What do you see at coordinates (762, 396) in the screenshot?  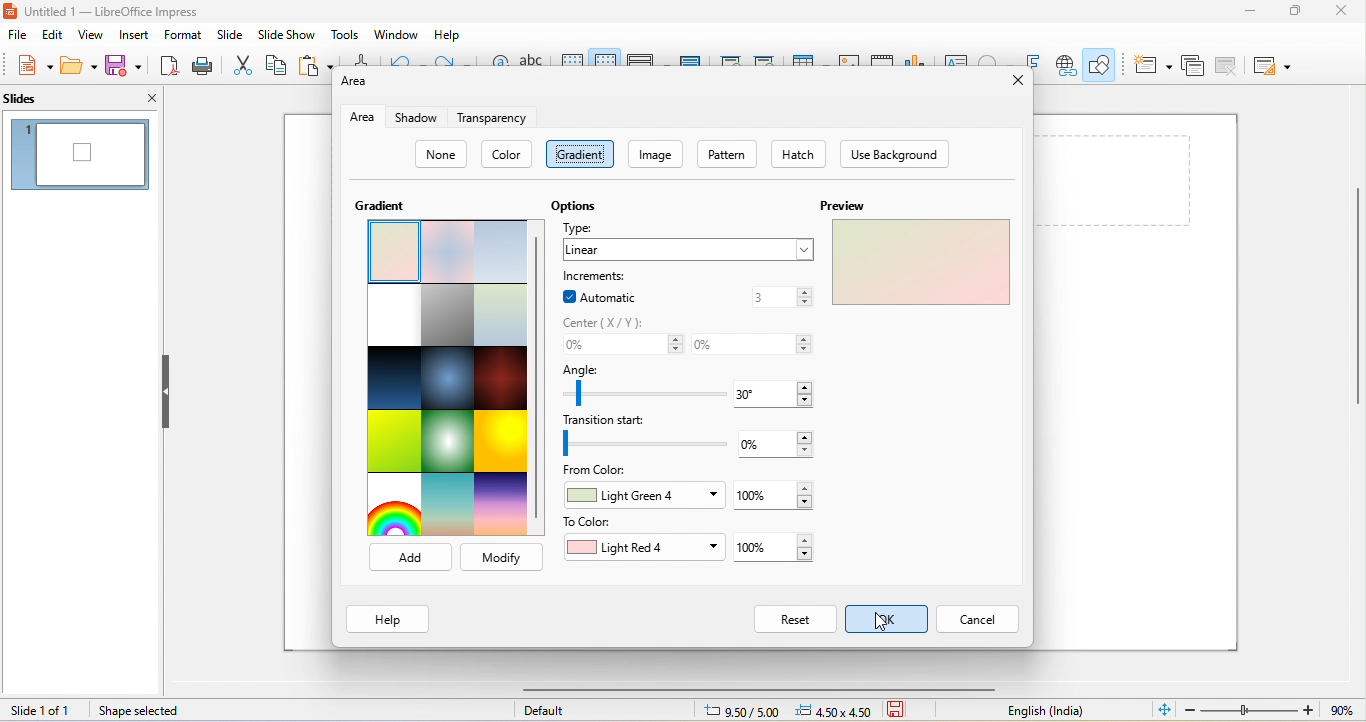 I see `select angle` at bounding box center [762, 396].